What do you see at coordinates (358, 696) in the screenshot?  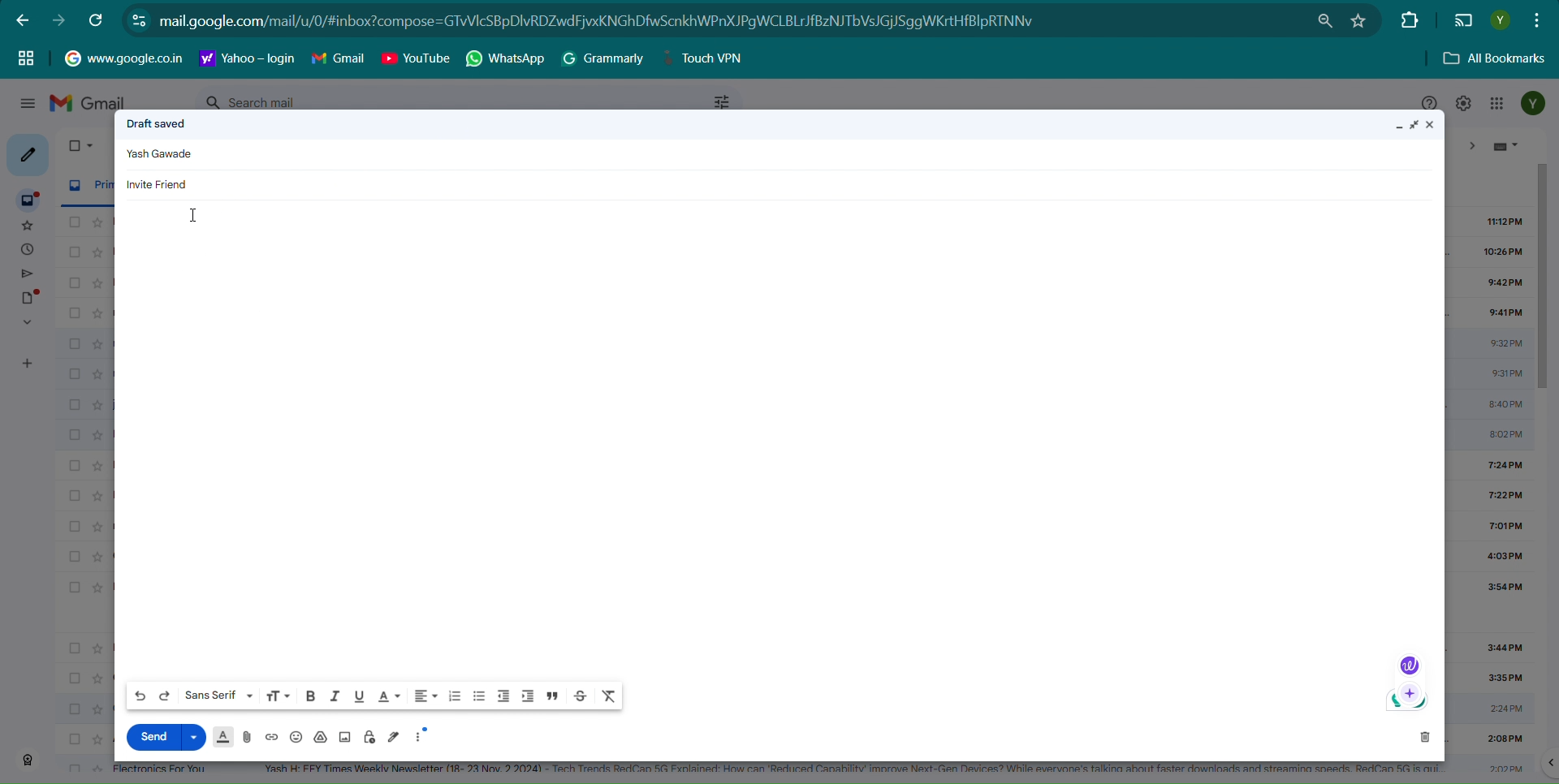 I see `Underline` at bounding box center [358, 696].